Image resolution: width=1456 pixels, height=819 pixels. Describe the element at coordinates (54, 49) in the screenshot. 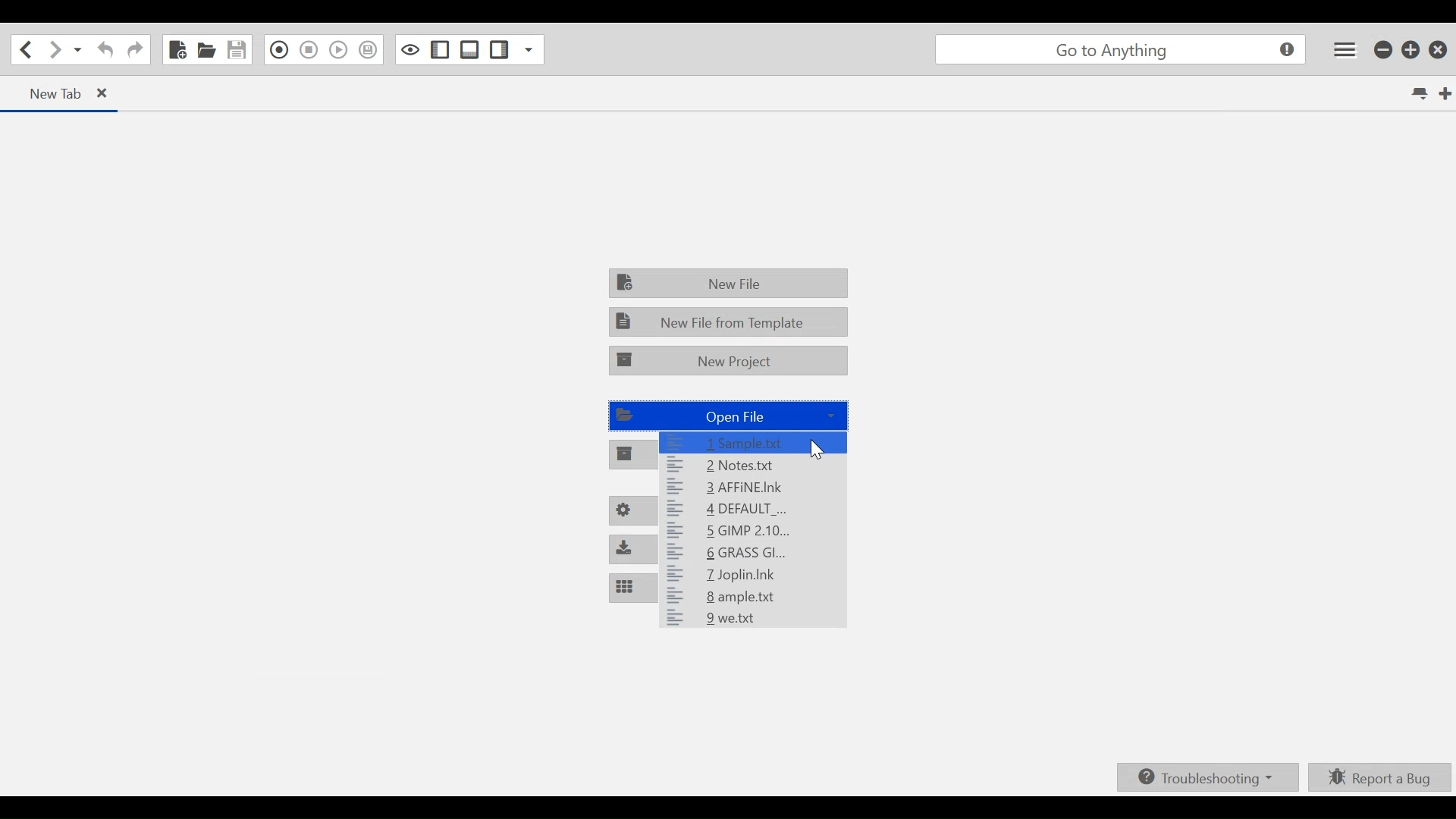

I see `Go forward one location` at that location.